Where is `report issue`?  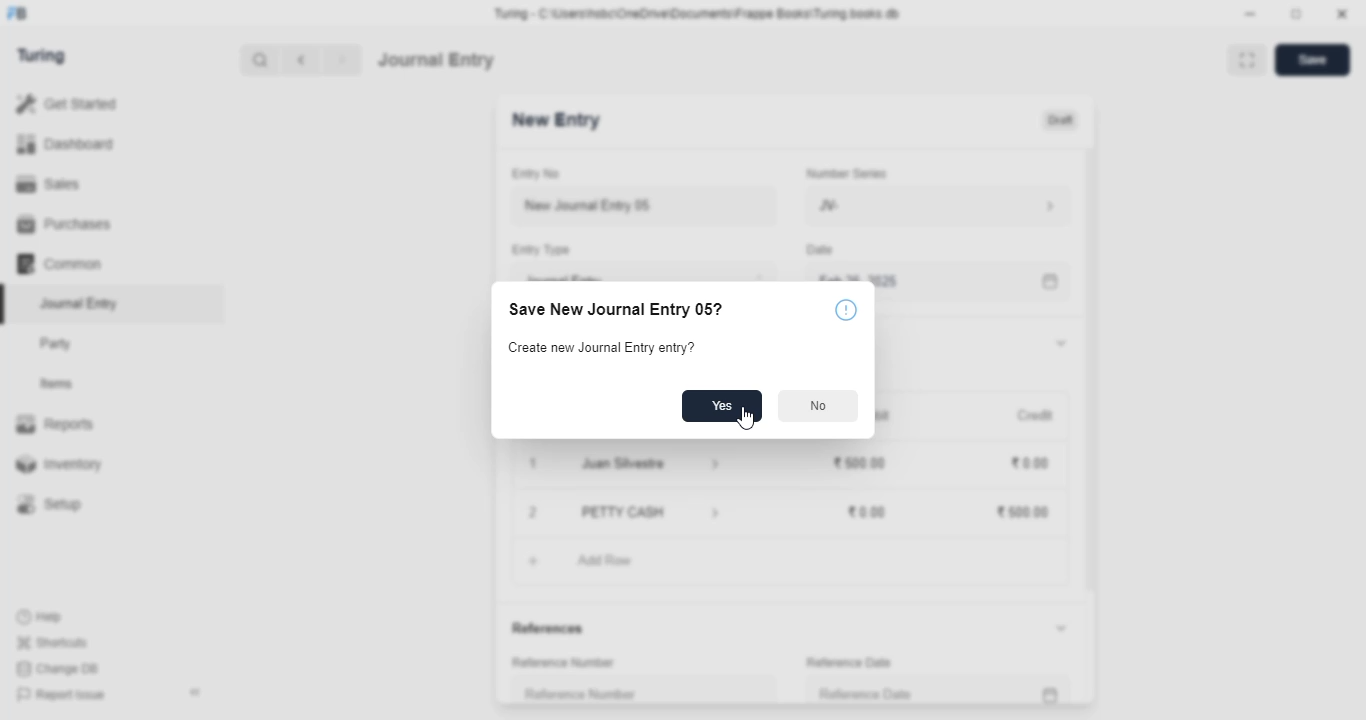 report issue is located at coordinates (61, 695).